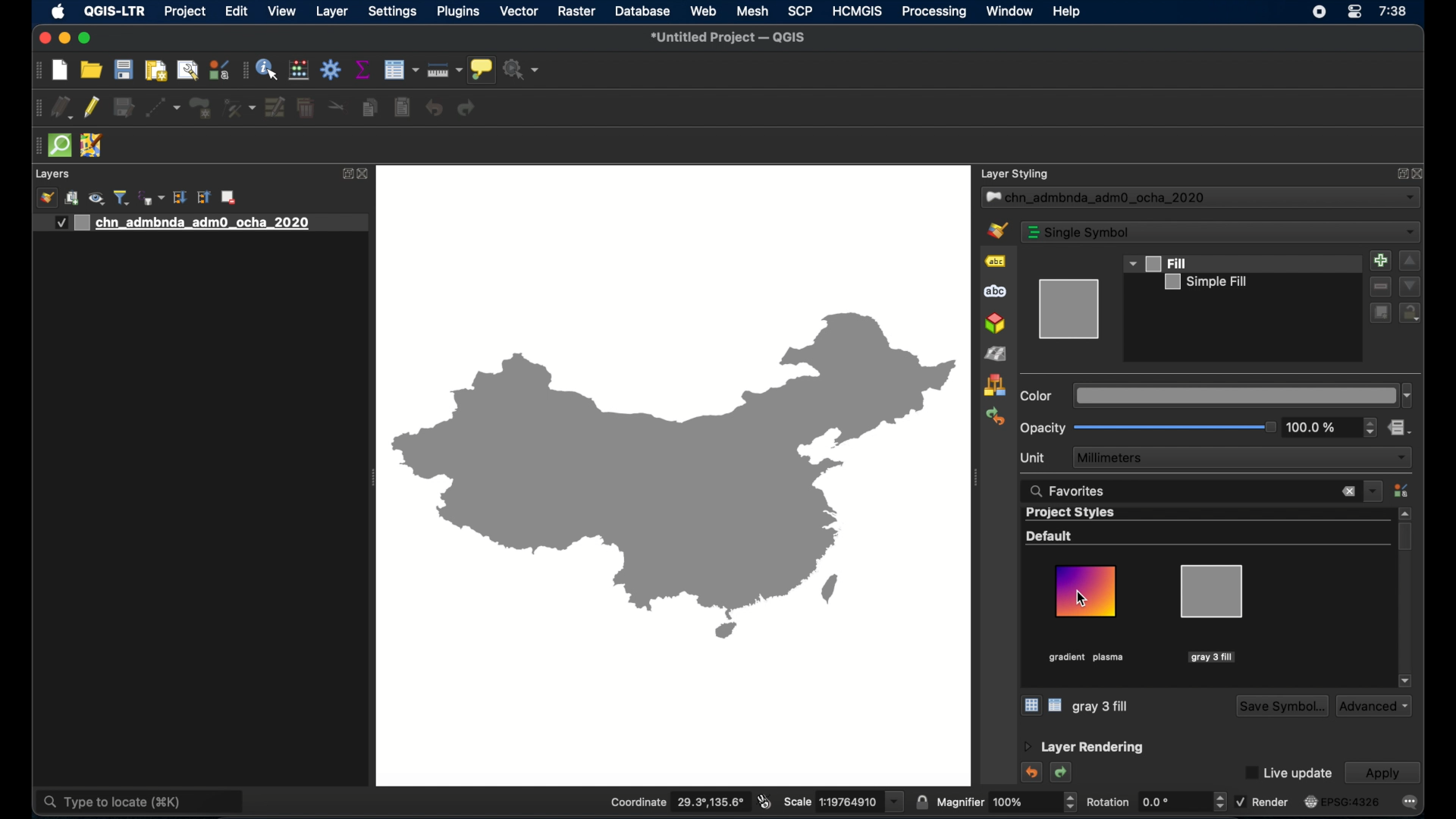 Image resolution: width=1456 pixels, height=819 pixels. I want to click on show statistical summary, so click(365, 69).